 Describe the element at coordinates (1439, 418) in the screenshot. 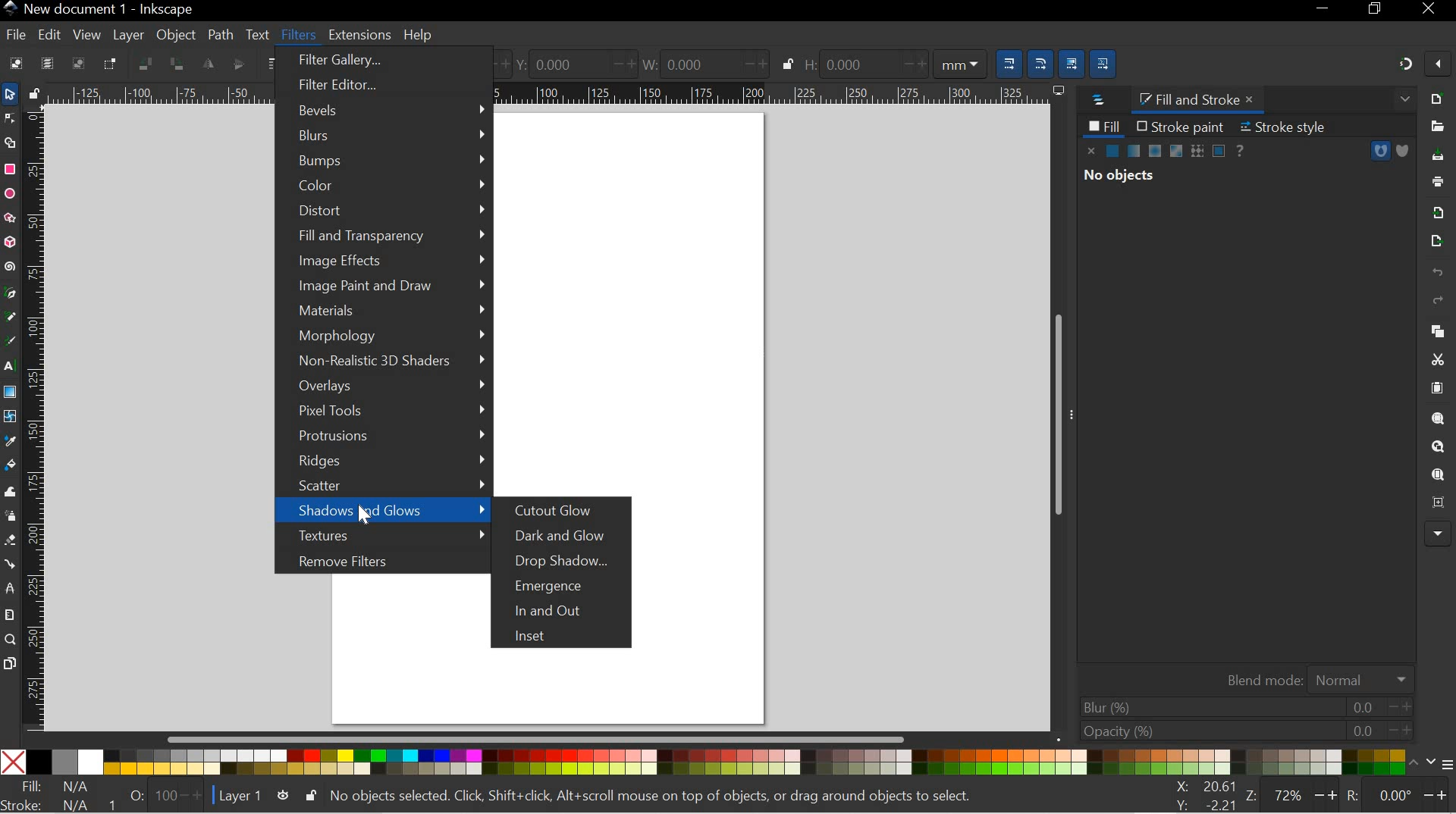

I see `ZOOM SELECTION` at that location.